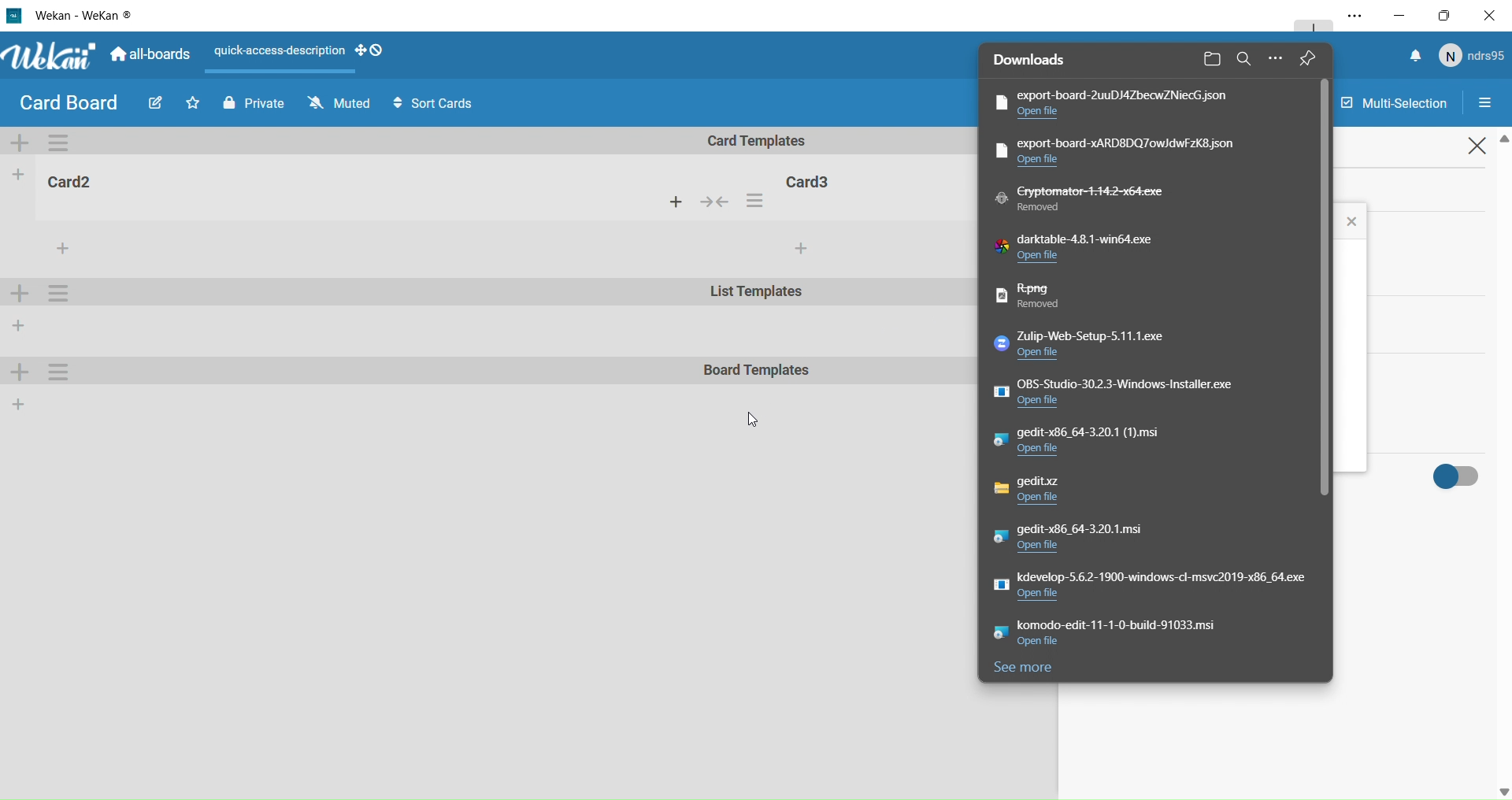  Describe the element at coordinates (1126, 151) in the screenshot. I see `downloaded file` at that location.